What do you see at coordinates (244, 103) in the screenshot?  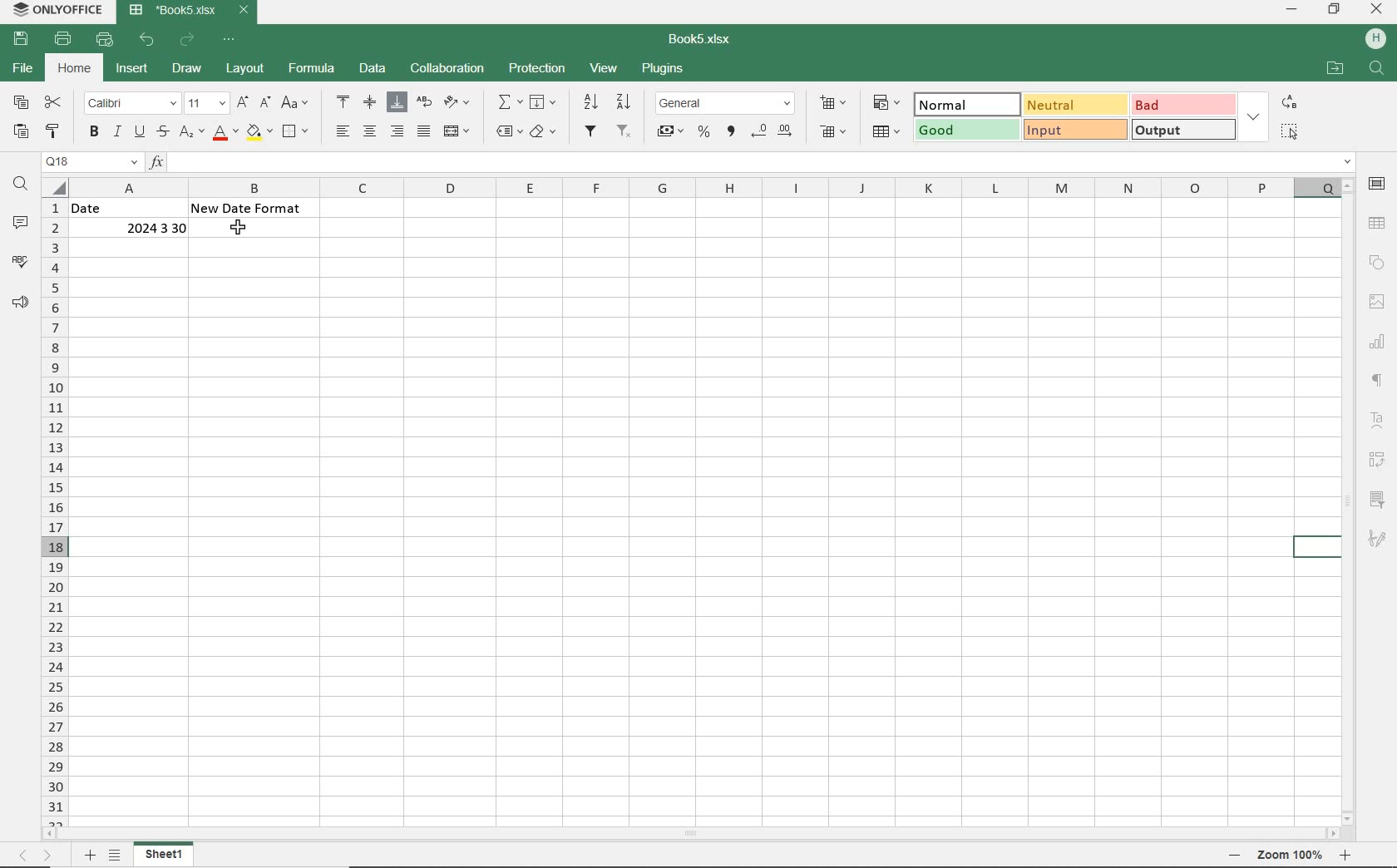 I see `INCREMENT FONT SIZE` at bounding box center [244, 103].